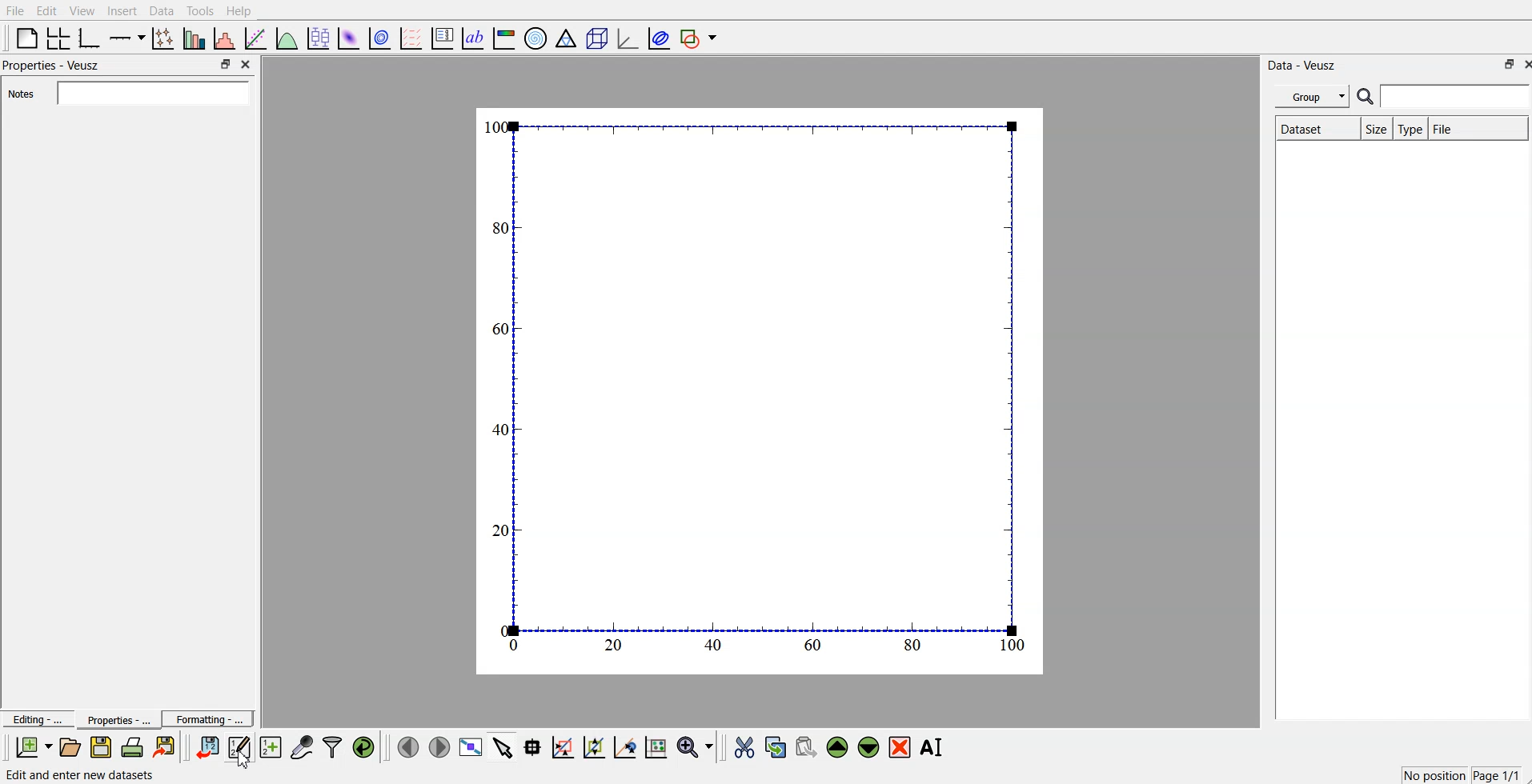 Image resolution: width=1532 pixels, height=784 pixels. I want to click on 3D scene, so click(596, 37).